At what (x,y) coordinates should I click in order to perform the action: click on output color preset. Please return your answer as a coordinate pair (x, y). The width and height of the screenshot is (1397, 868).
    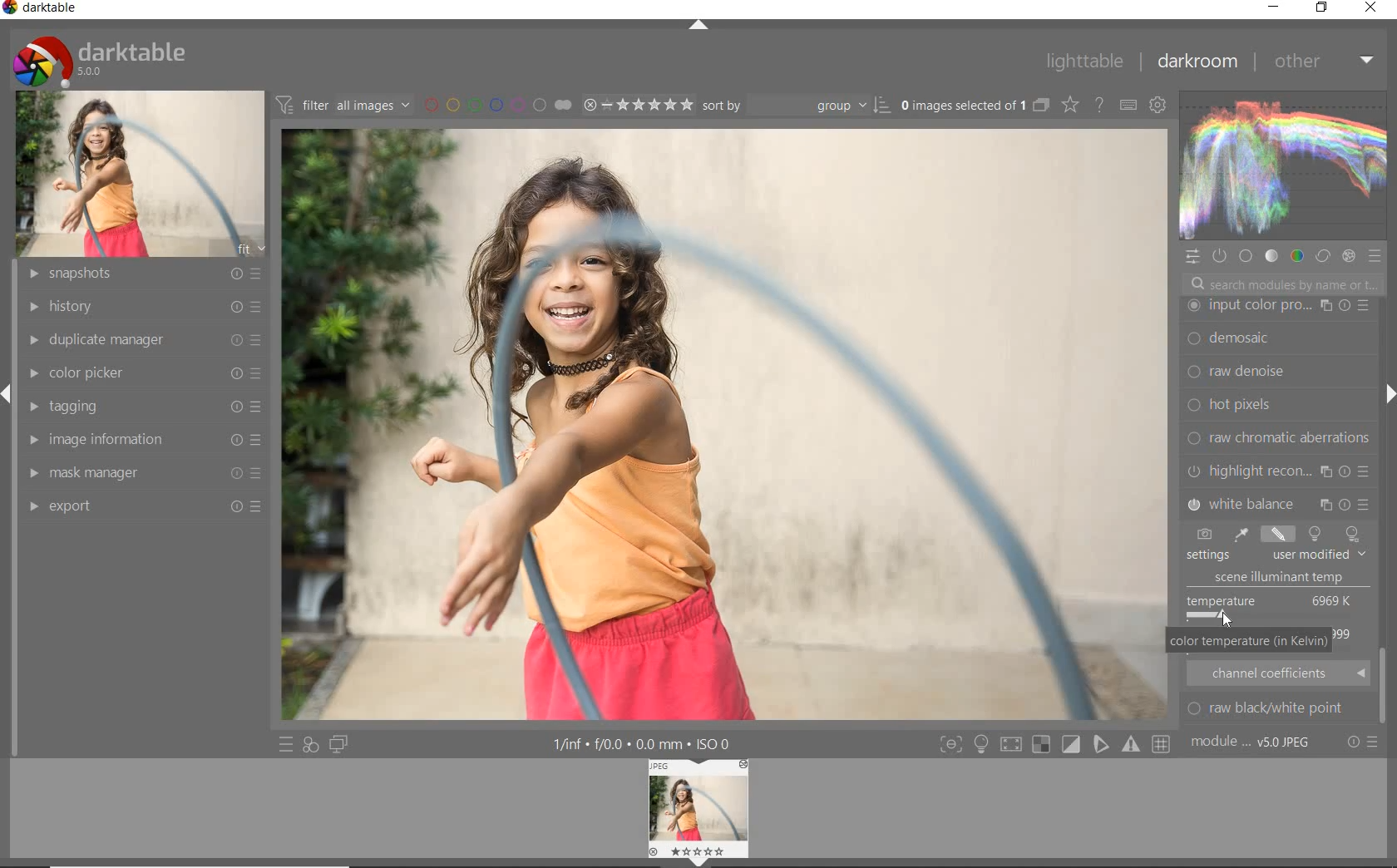
    Looking at the image, I should click on (1276, 405).